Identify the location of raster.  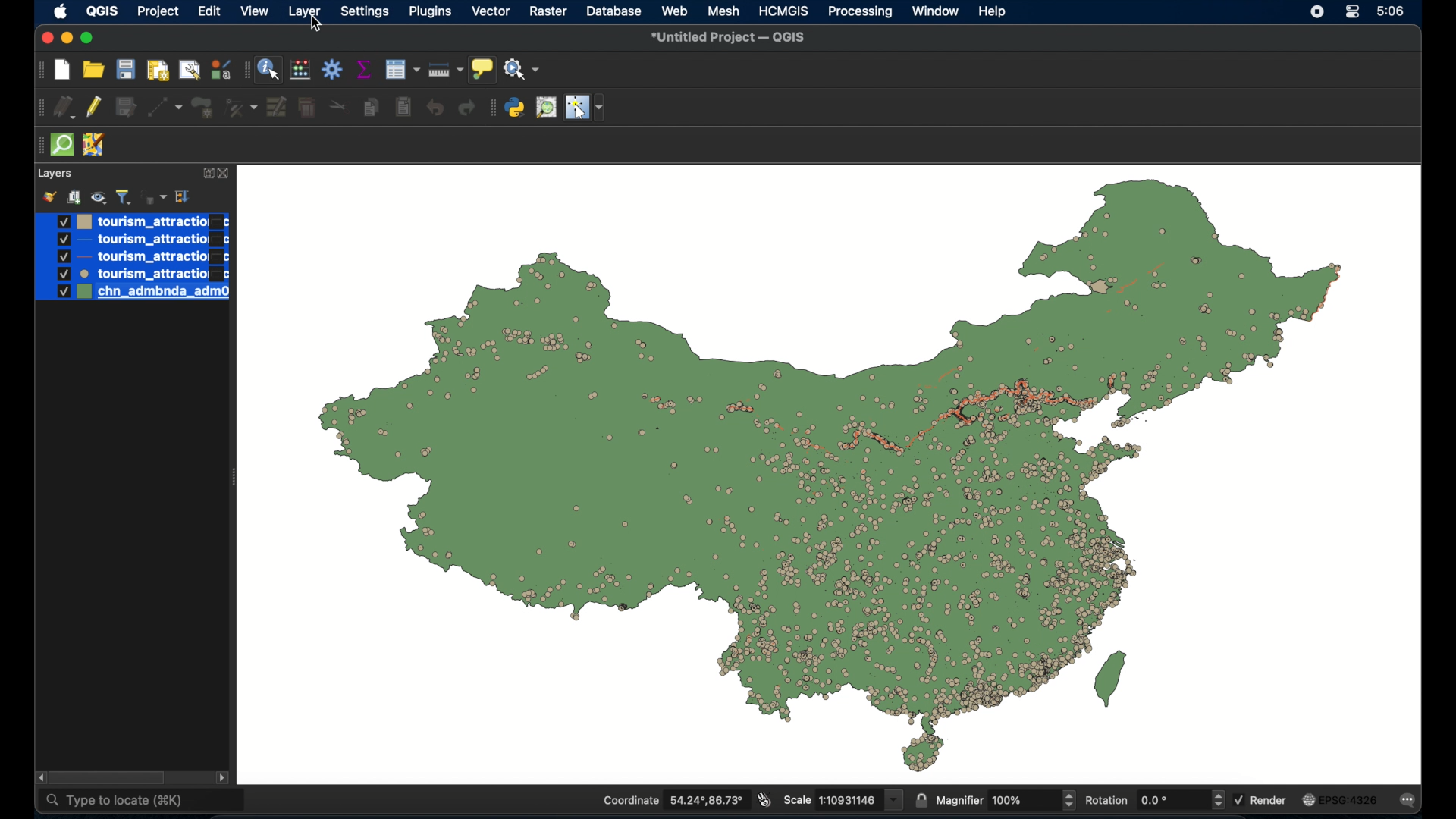
(548, 11).